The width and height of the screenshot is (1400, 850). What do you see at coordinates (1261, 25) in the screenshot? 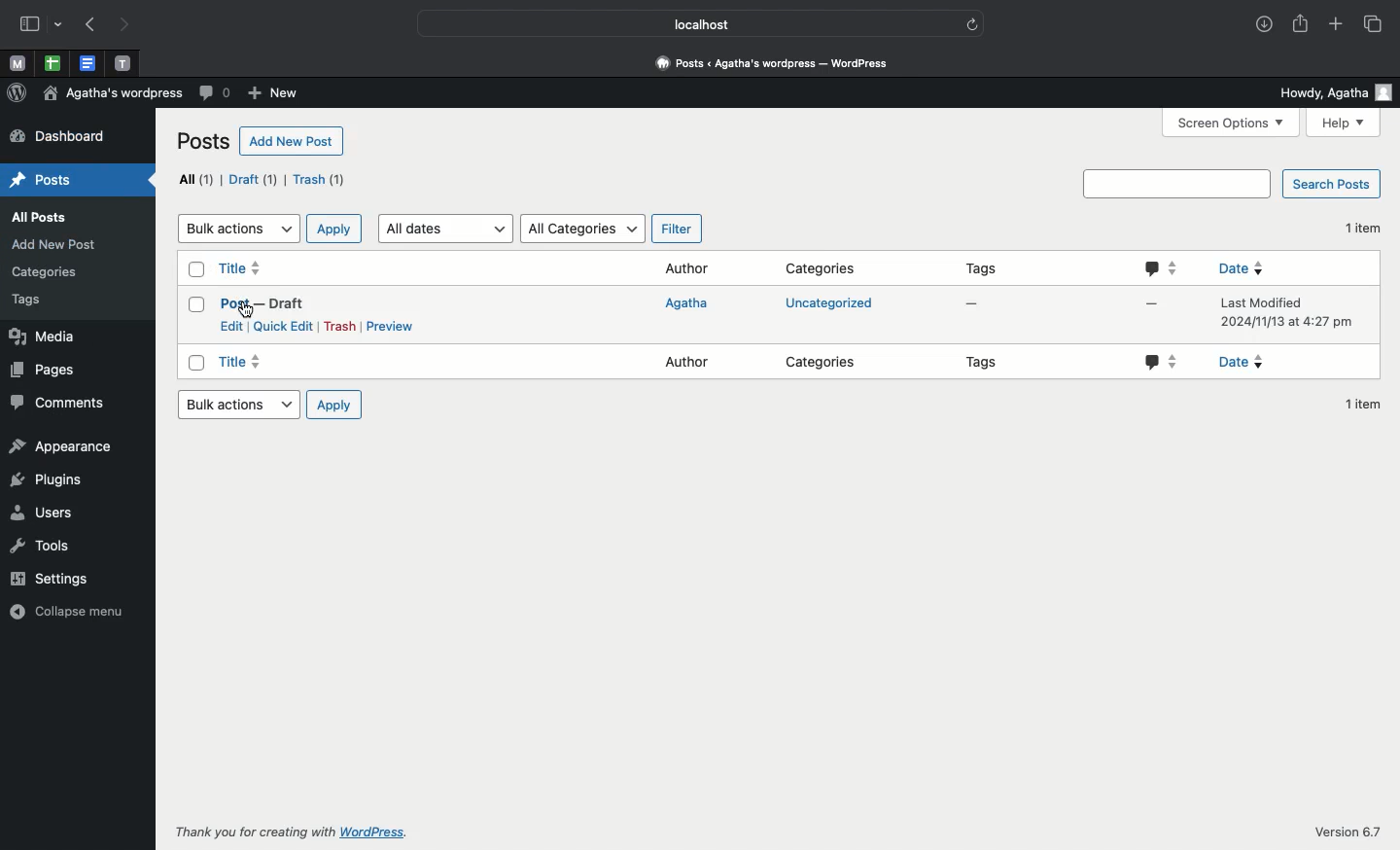
I see `Downloads` at bounding box center [1261, 25].